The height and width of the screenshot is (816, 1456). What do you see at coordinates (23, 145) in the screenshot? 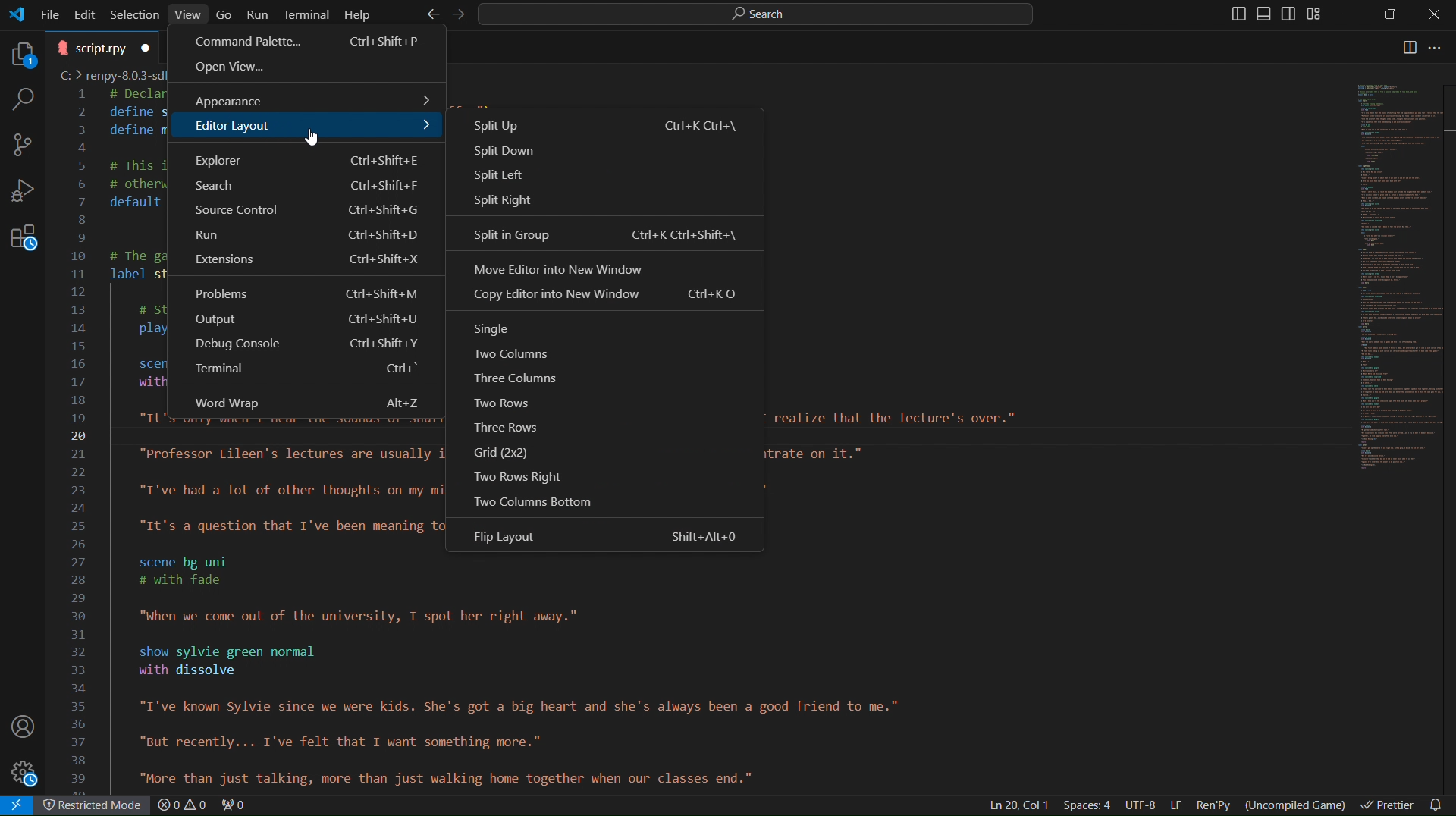
I see `Source Control` at bounding box center [23, 145].